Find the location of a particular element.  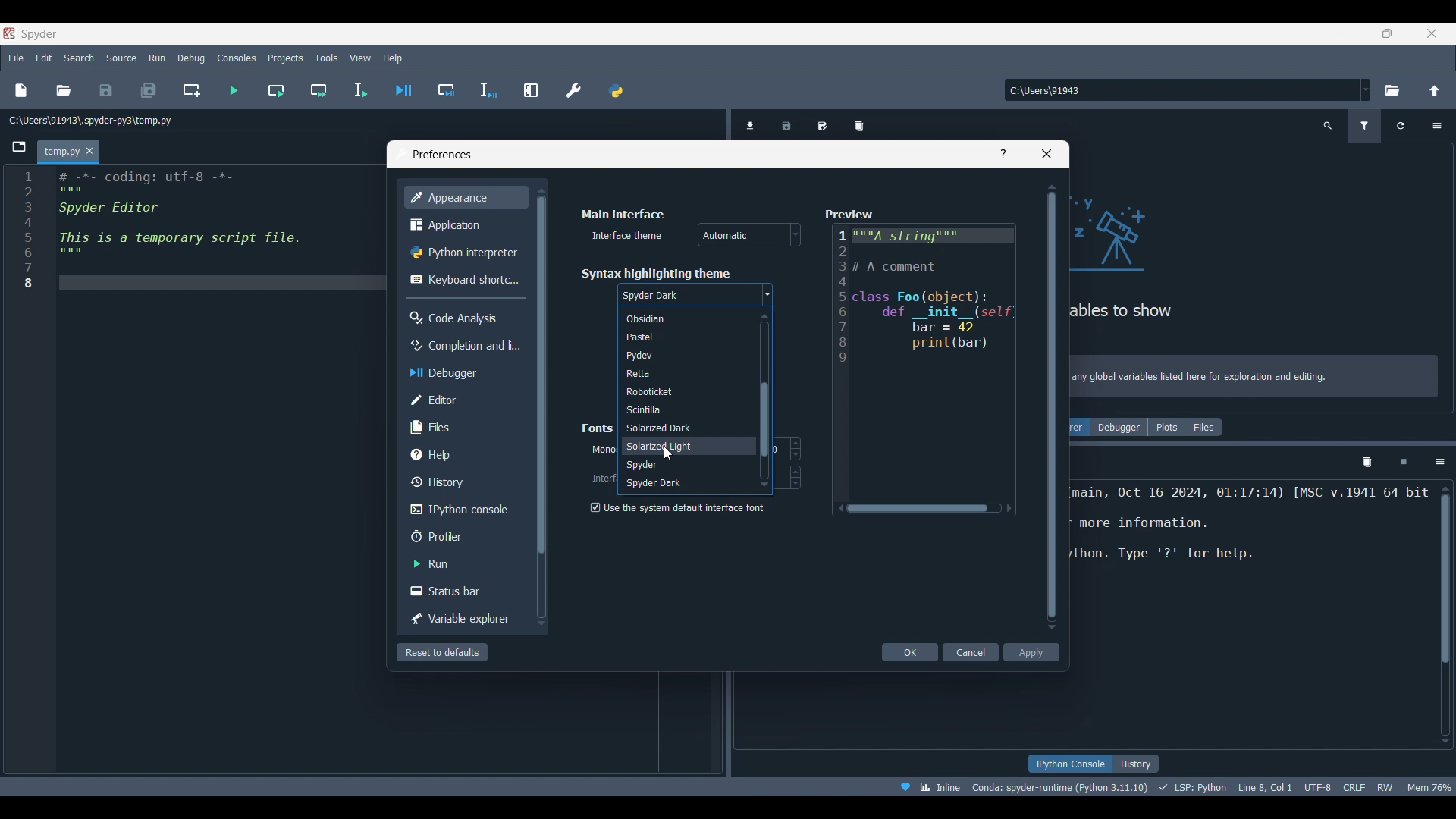

Type in folder location is located at coordinates (1181, 90).